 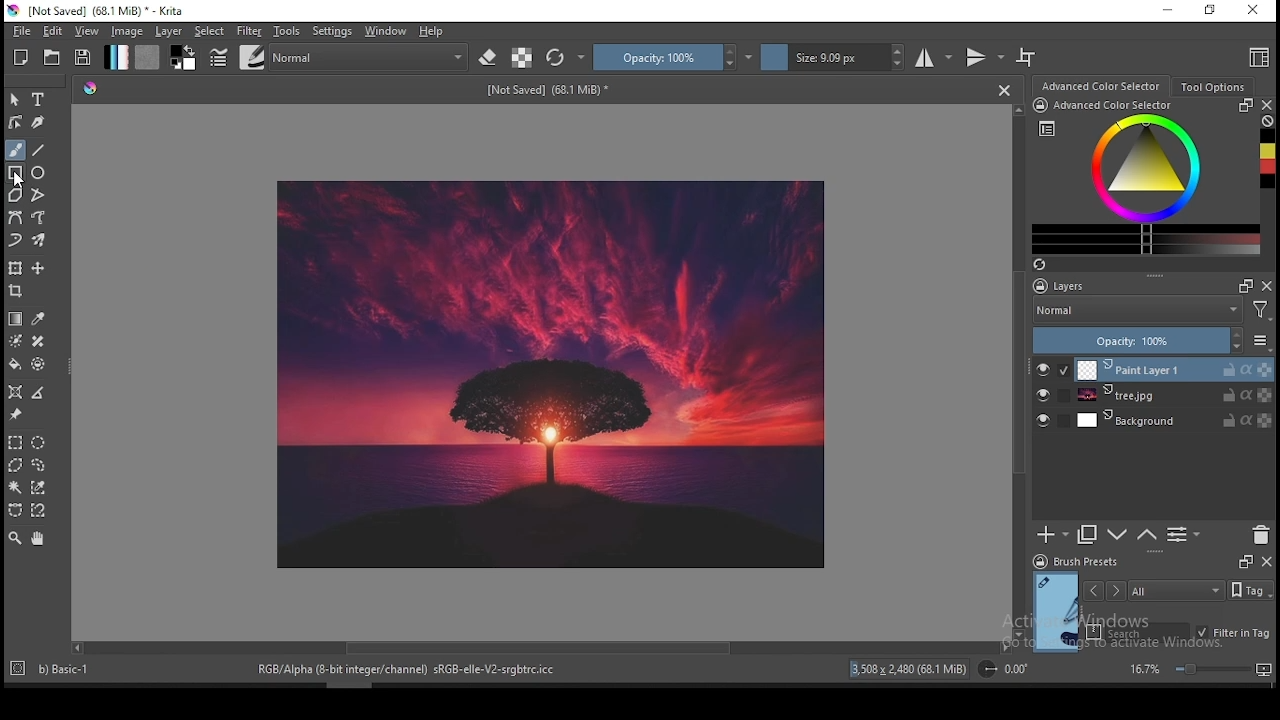 What do you see at coordinates (38, 269) in the screenshot?
I see `move a layer` at bounding box center [38, 269].